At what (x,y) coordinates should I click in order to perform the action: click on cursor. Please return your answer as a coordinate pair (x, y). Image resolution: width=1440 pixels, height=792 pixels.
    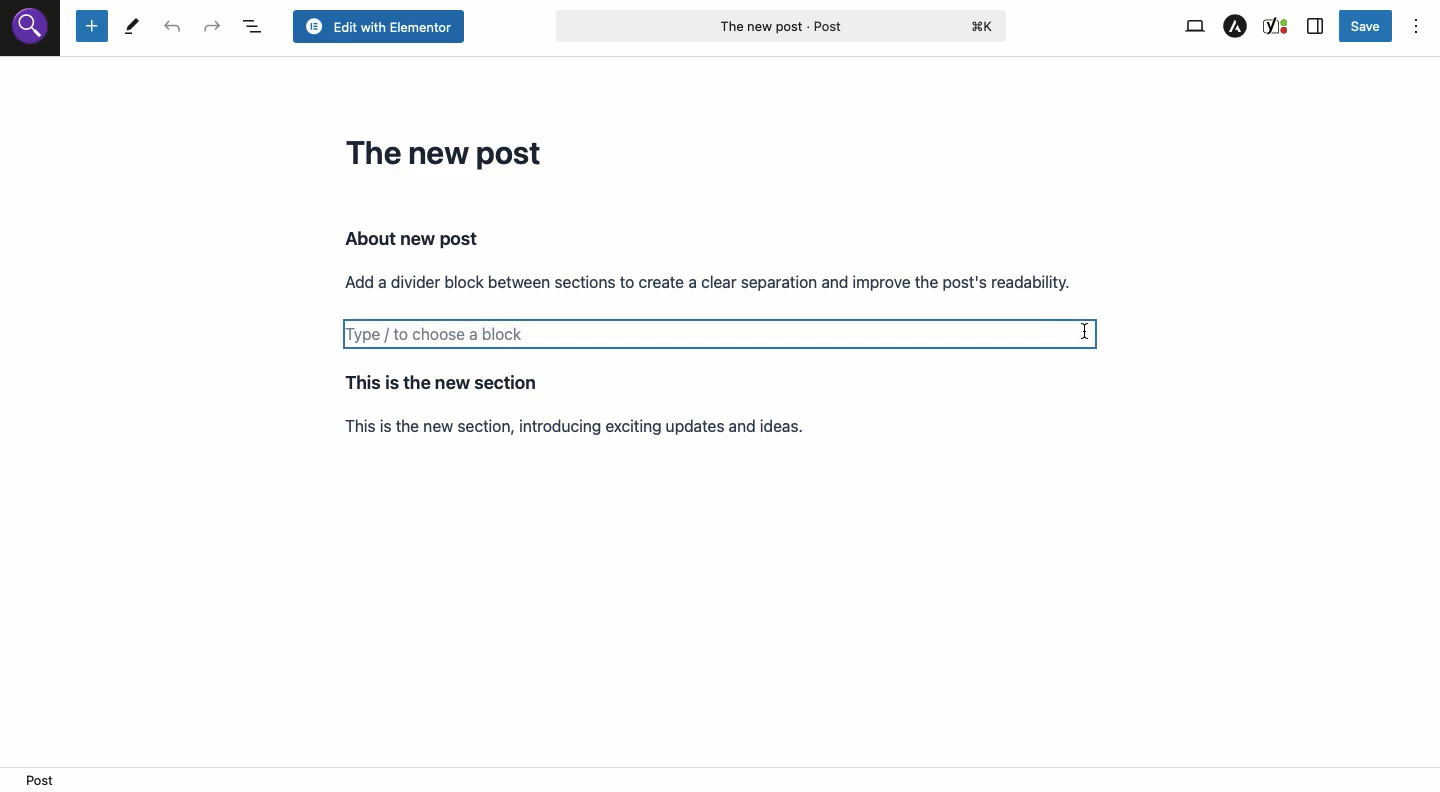
    Looking at the image, I should click on (1084, 333).